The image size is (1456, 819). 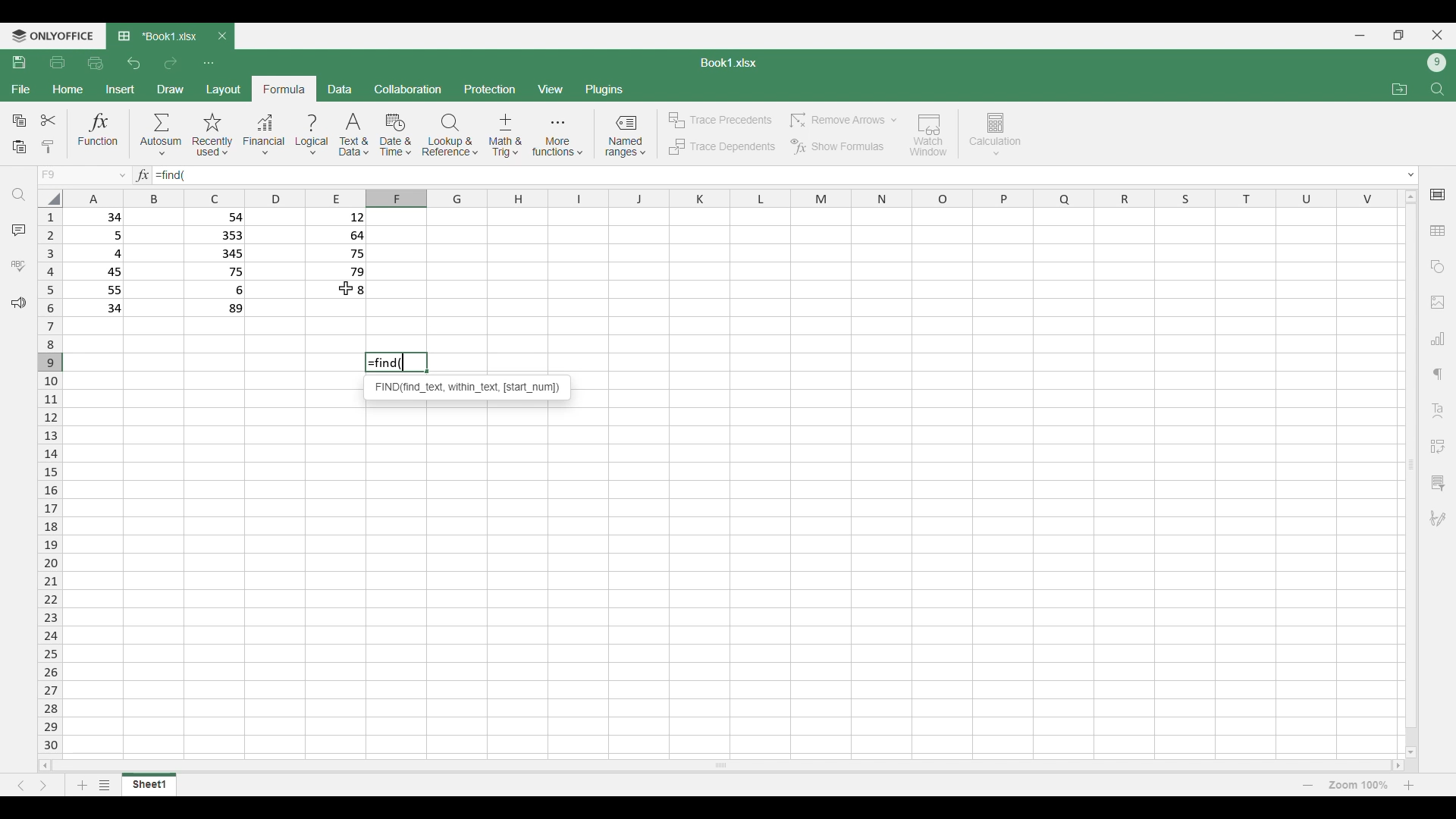 I want to click on Paste, so click(x=19, y=148).